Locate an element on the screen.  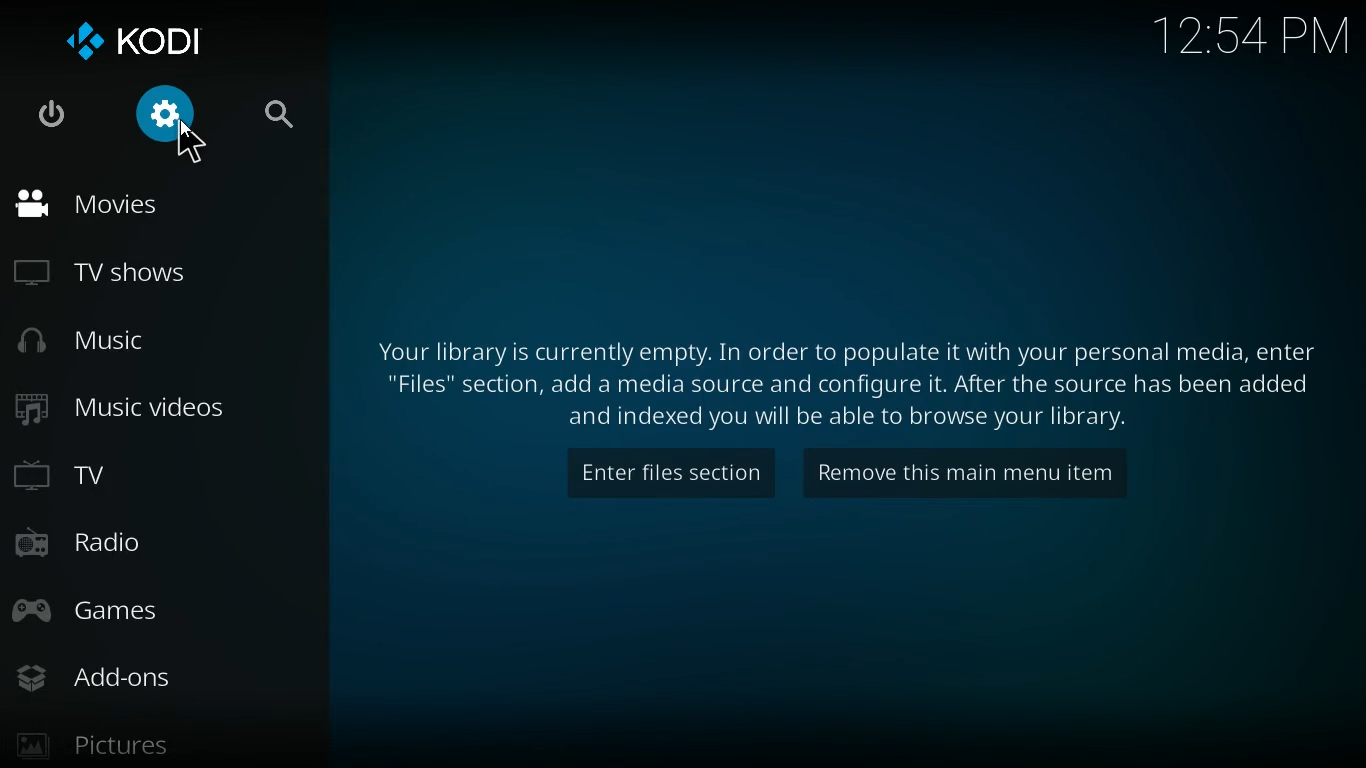
message is located at coordinates (841, 385).